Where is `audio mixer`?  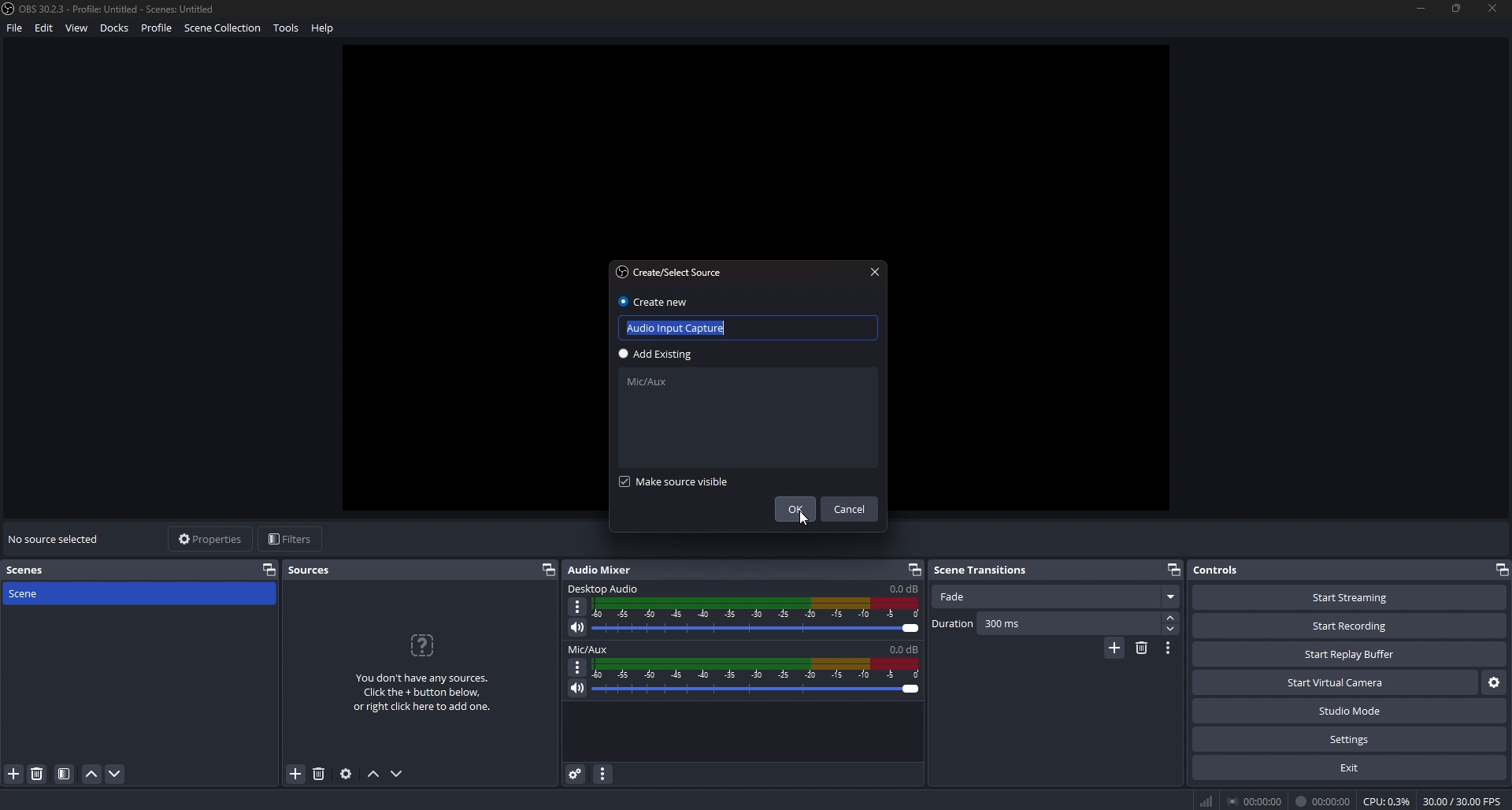 audio mixer is located at coordinates (608, 569).